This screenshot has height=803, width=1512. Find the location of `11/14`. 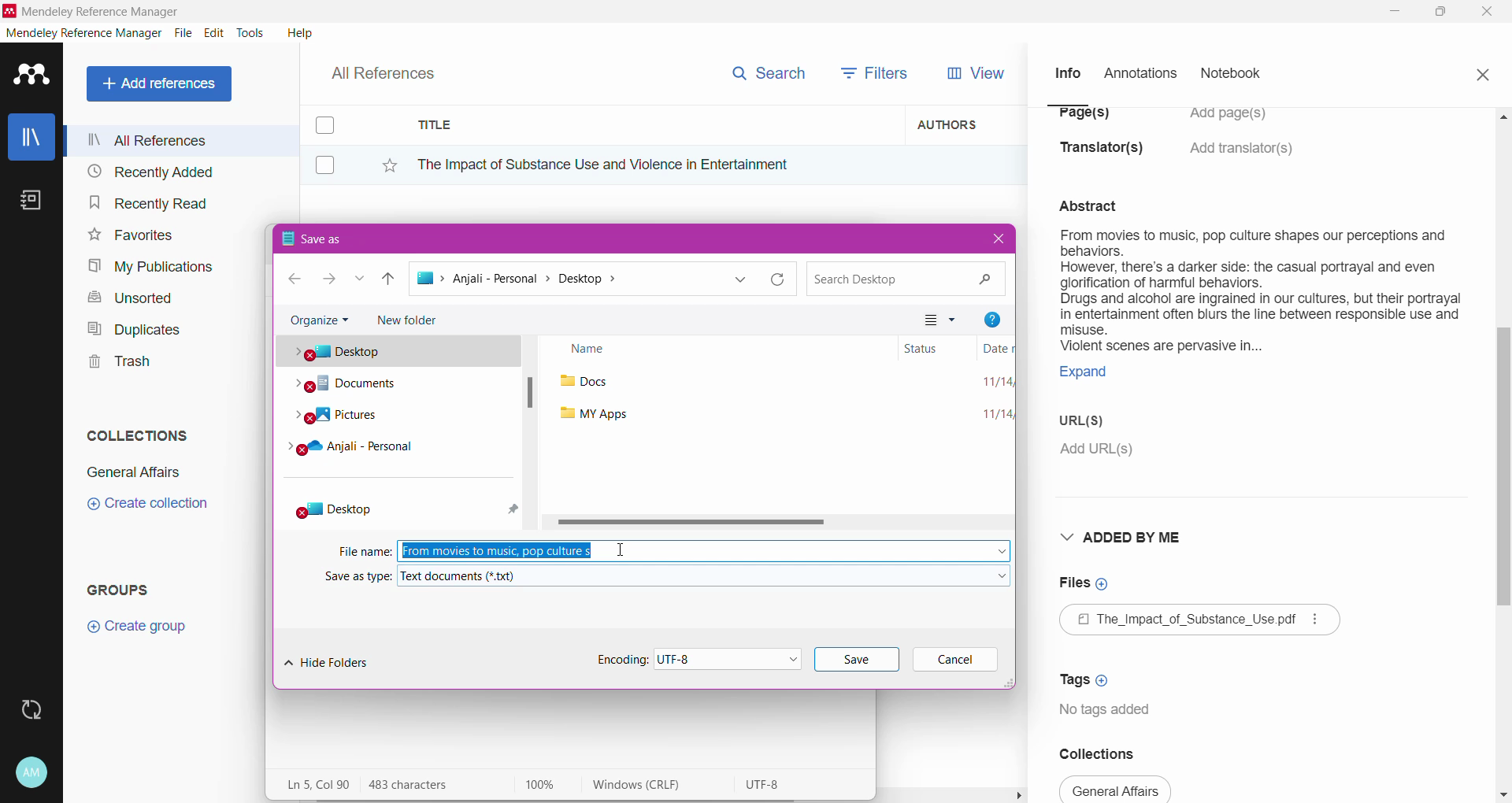

11/14 is located at coordinates (994, 383).